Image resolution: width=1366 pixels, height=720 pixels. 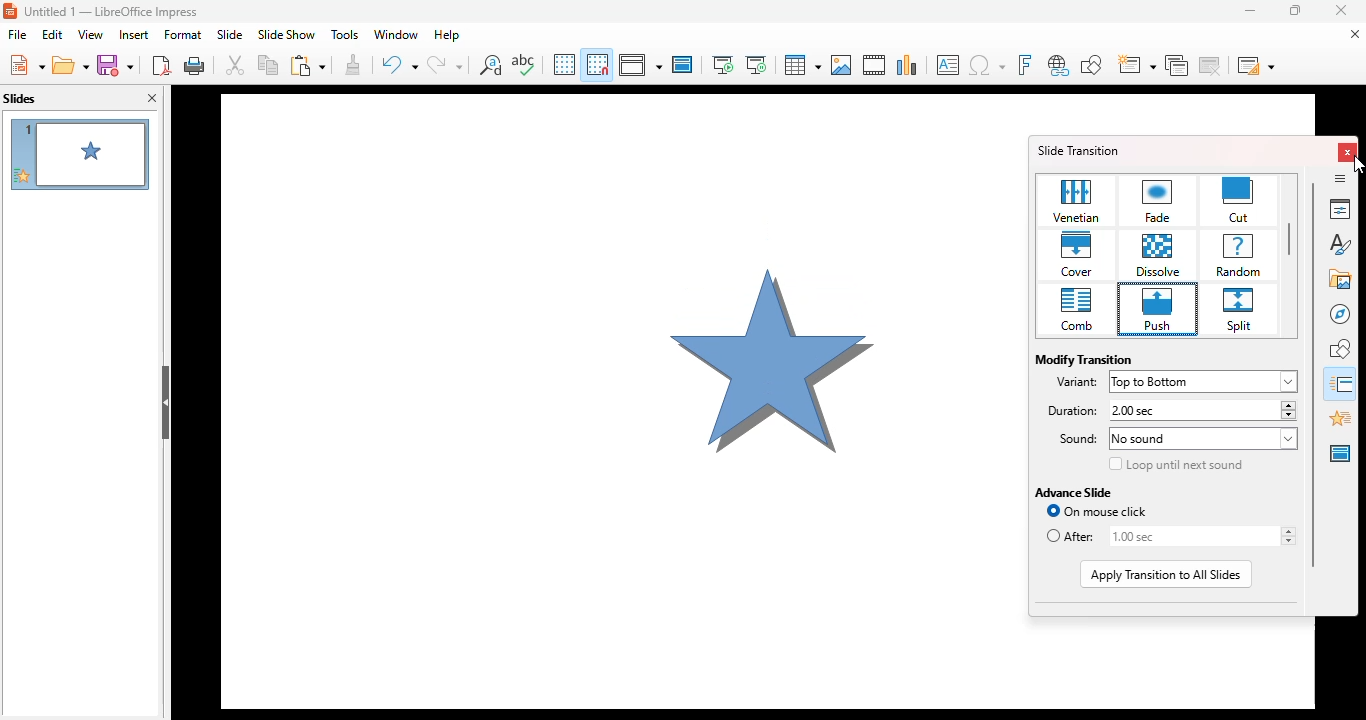 What do you see at coordinates (21, 175) in the screenshot?
I see `transition added` at bounding box center [21, 175].